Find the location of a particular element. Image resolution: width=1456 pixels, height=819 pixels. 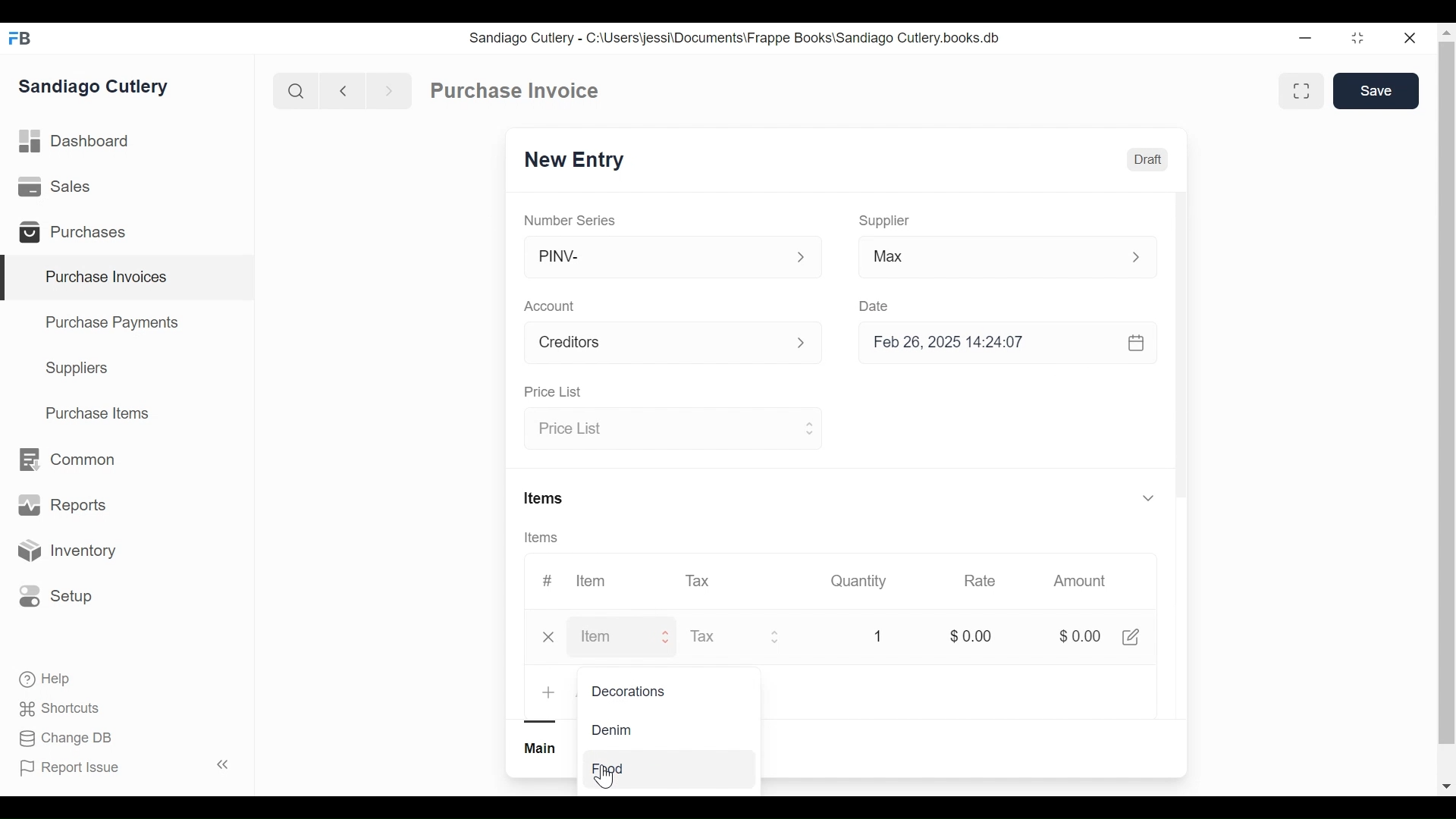

Main is located at coordinates (539, 748).